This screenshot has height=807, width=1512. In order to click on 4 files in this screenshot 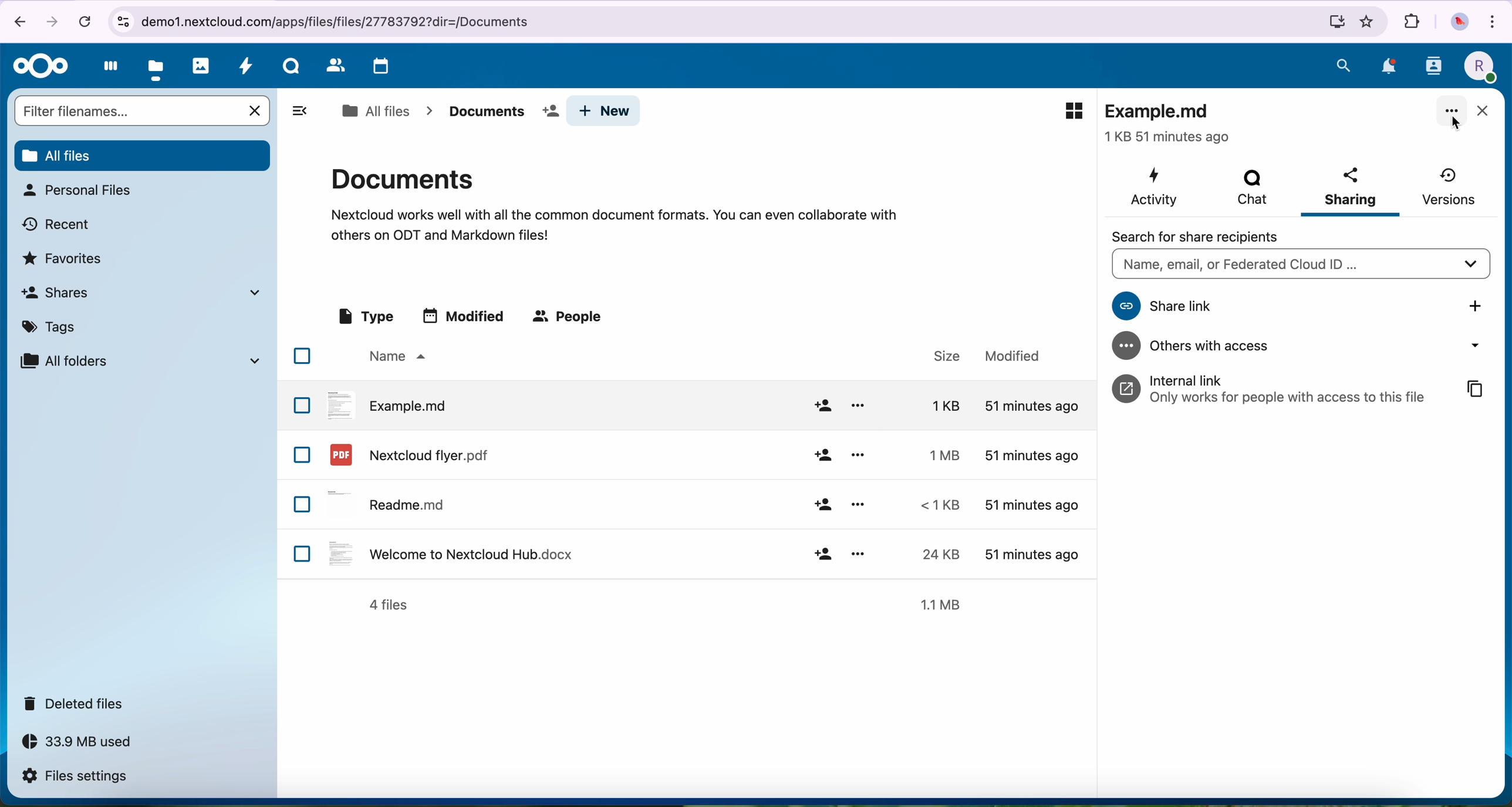, I will do `click(389, 605)`.